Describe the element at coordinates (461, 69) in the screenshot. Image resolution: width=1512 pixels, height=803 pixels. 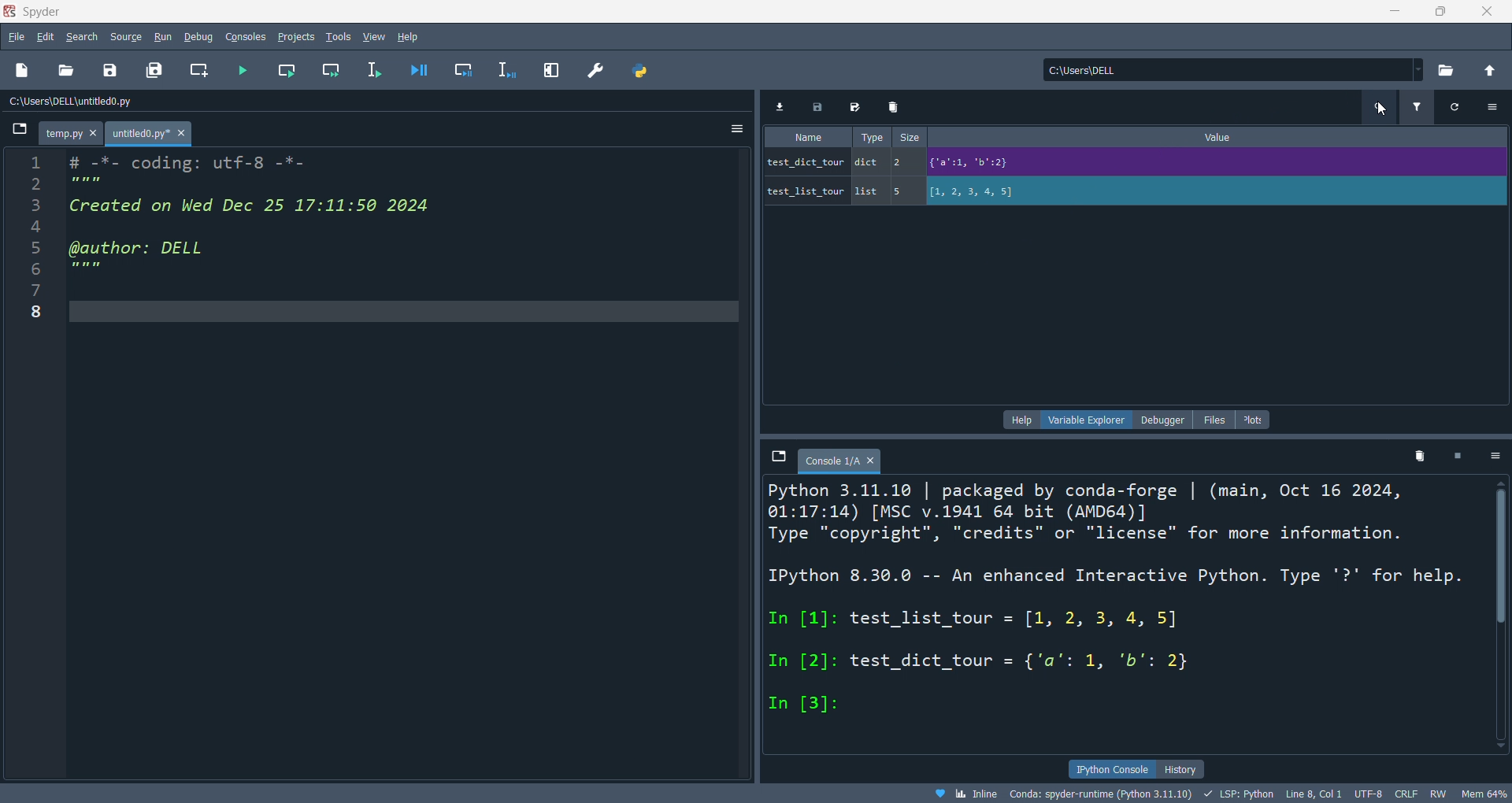
I see `debug cell` at that location.